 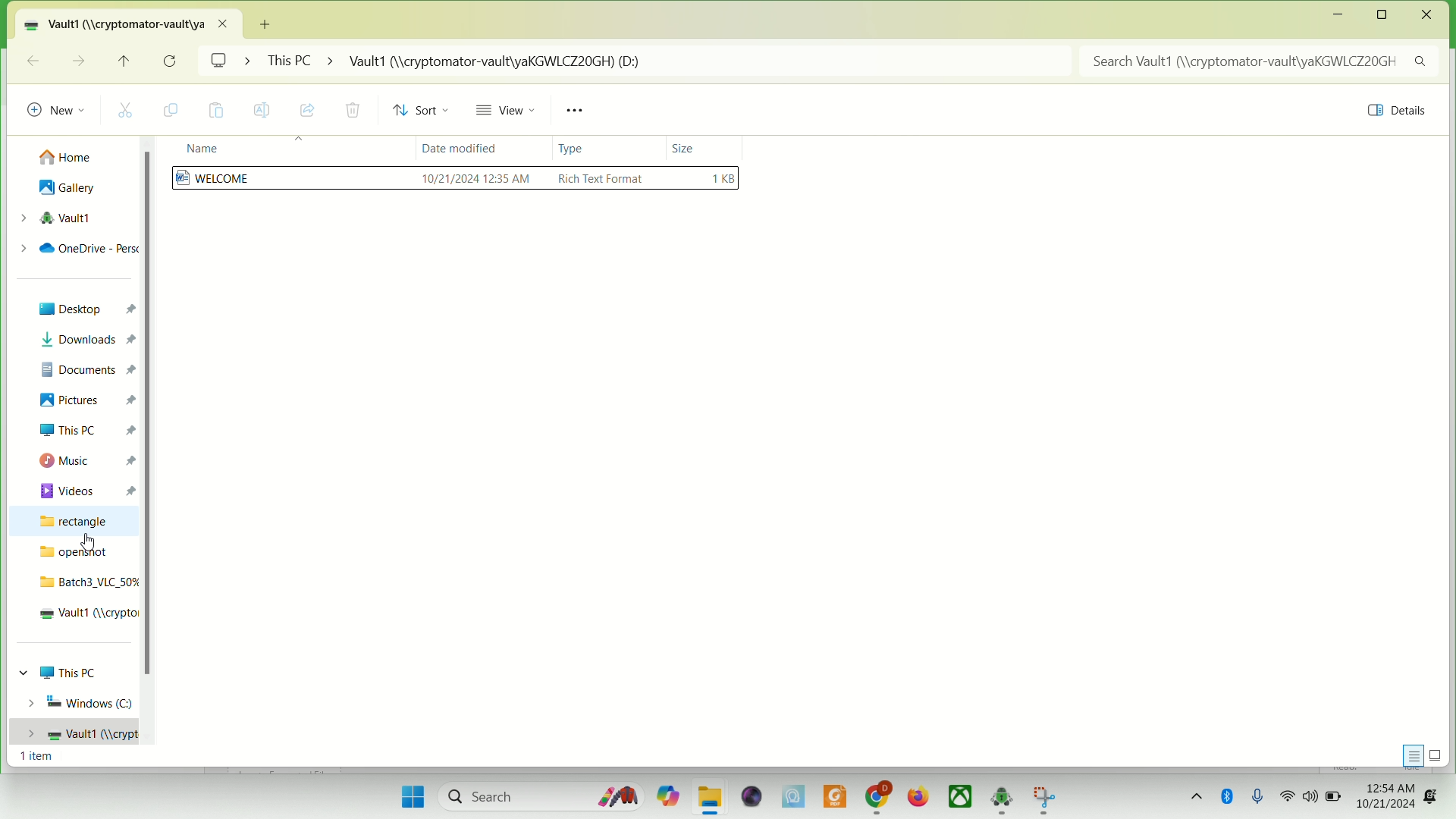 I want to click on cut, so click(x=131, y=109).